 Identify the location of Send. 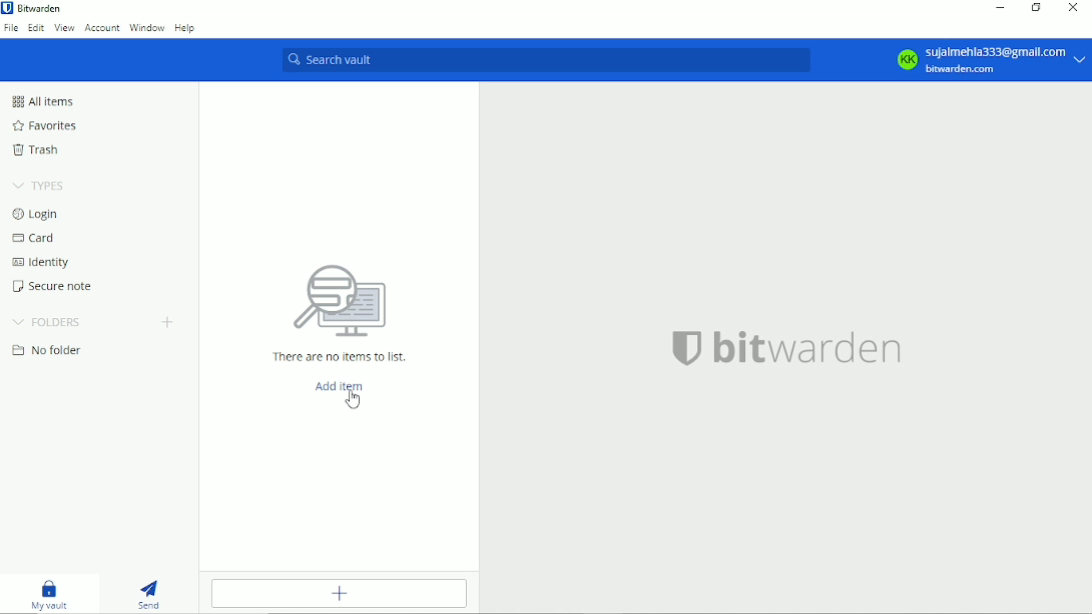
(150, 593).